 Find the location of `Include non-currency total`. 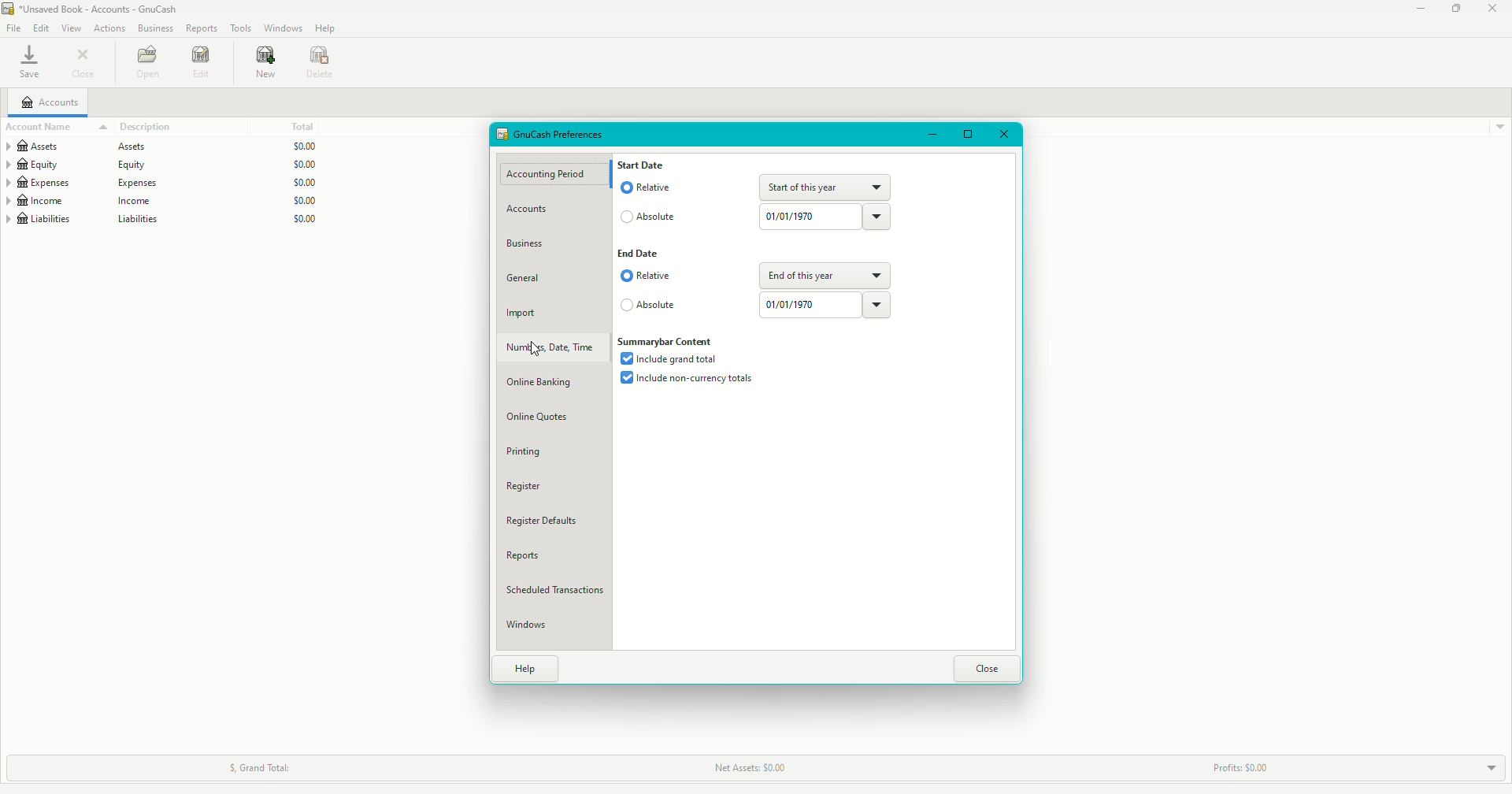

Include non-currency total is located at coordinates (687, 381).